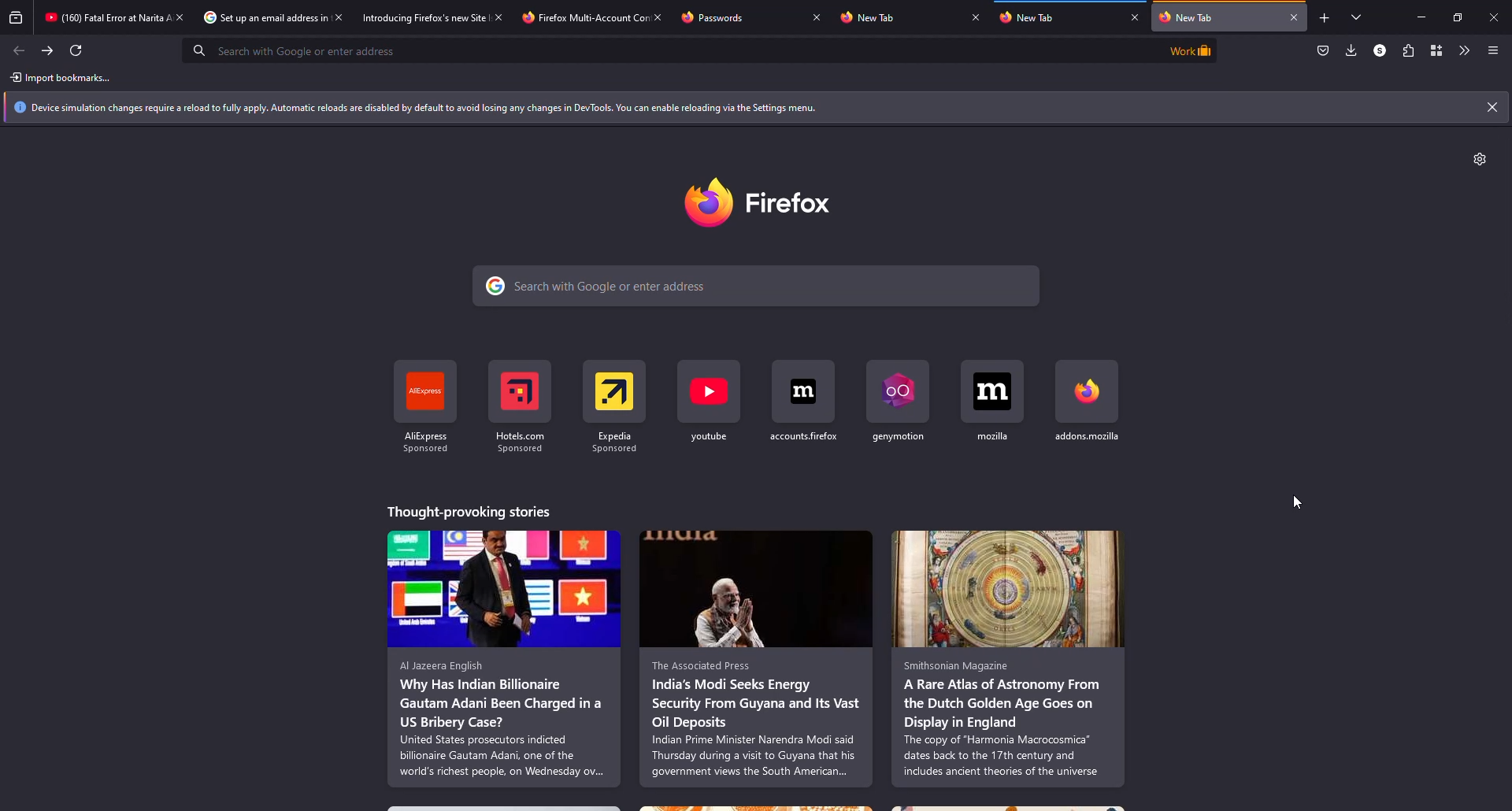 The image size is (1512, 811). I want to click on tab, so click(717, 17).